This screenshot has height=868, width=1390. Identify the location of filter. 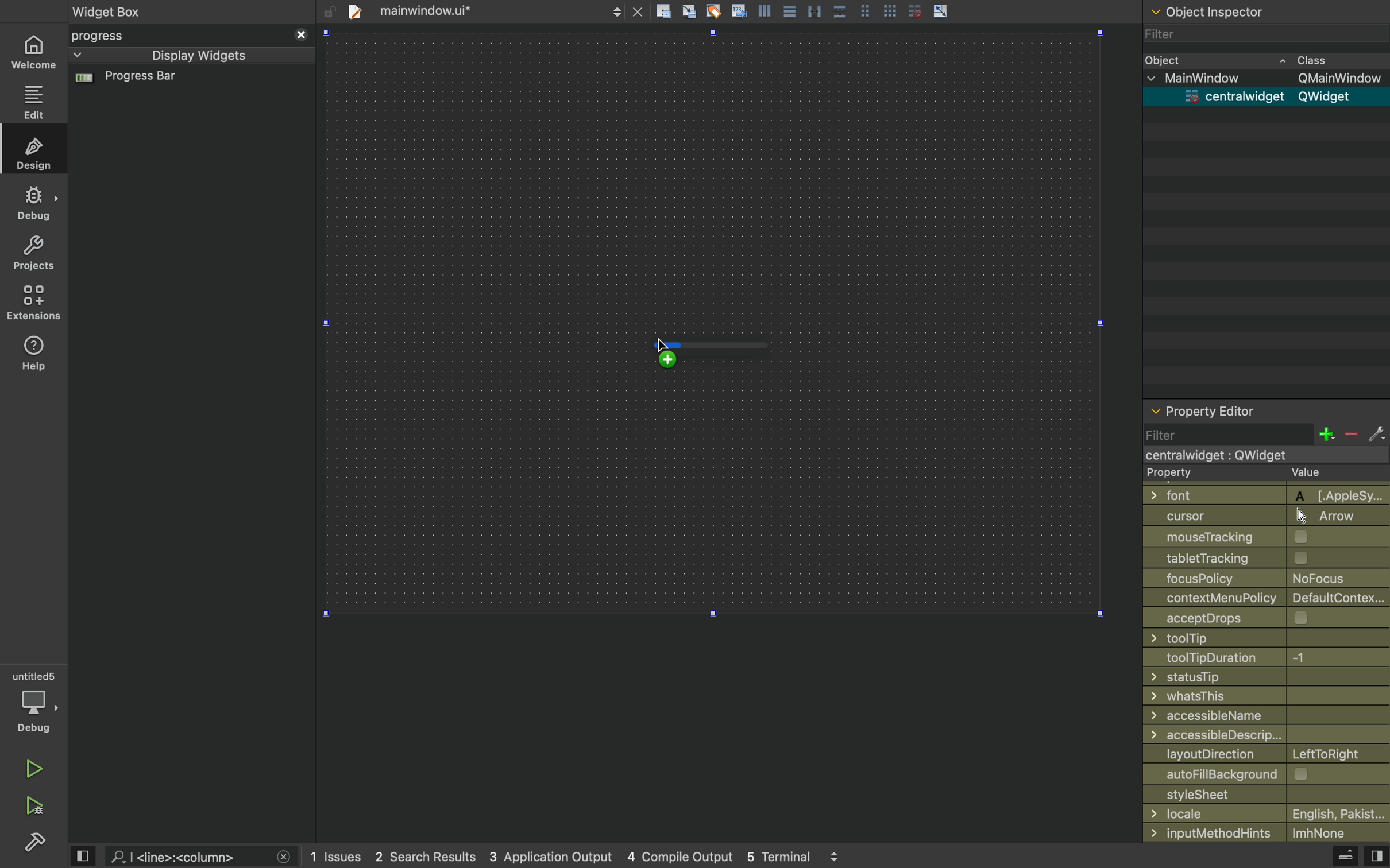
(1262, 34).